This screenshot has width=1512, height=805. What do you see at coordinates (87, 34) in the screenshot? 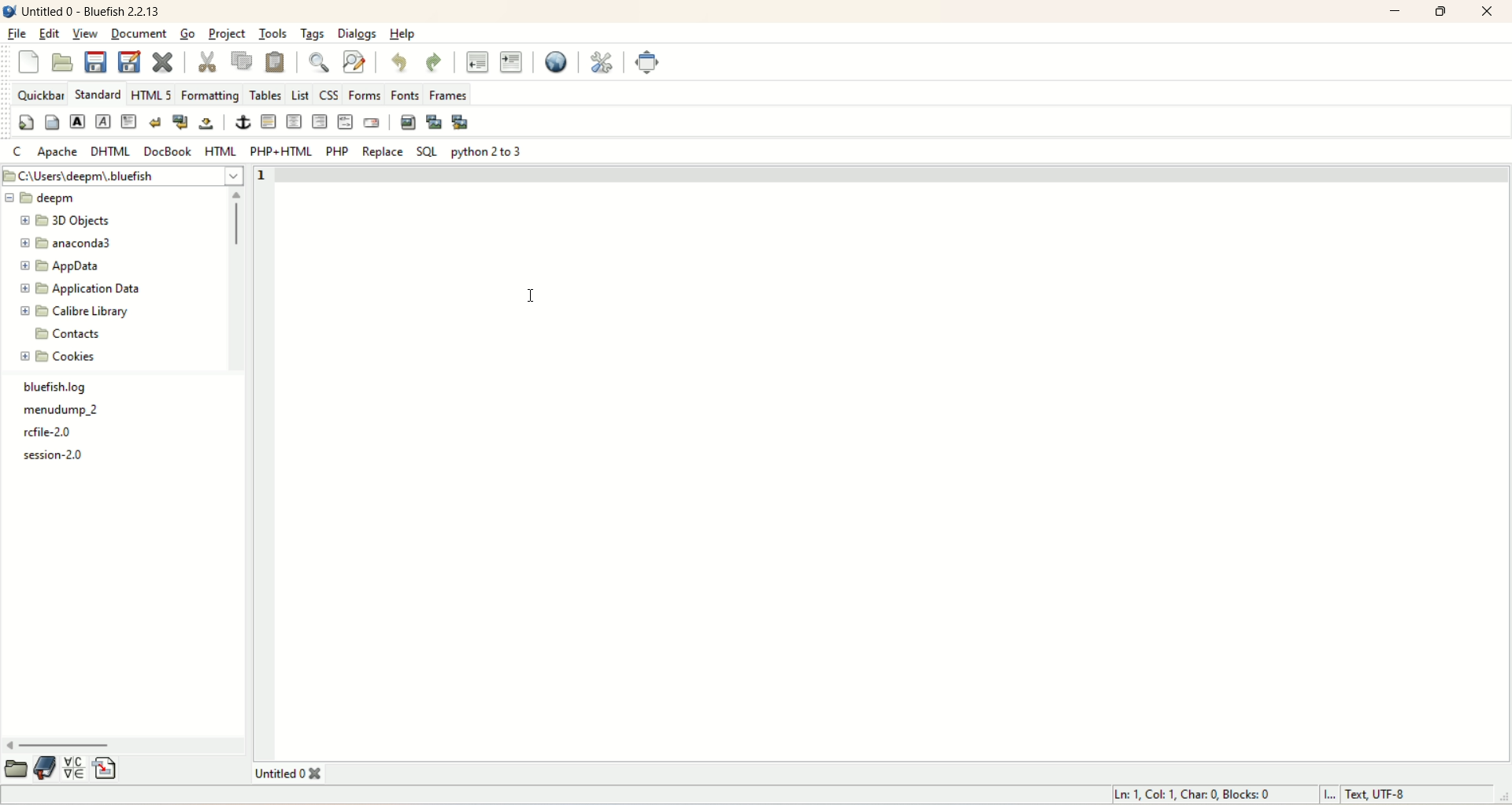
I see `view` at bounding box center [87, 34].